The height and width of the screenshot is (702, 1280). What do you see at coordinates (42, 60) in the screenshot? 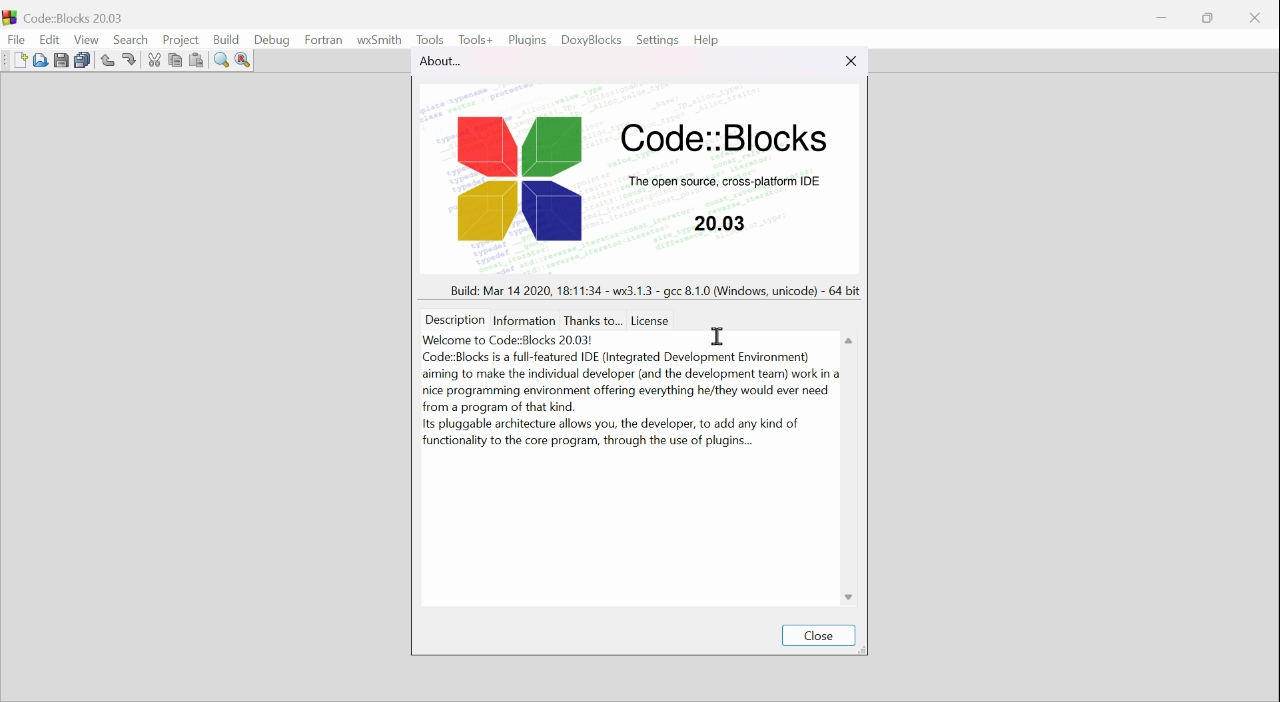
I see `Open` at bounding box center [42, 60].